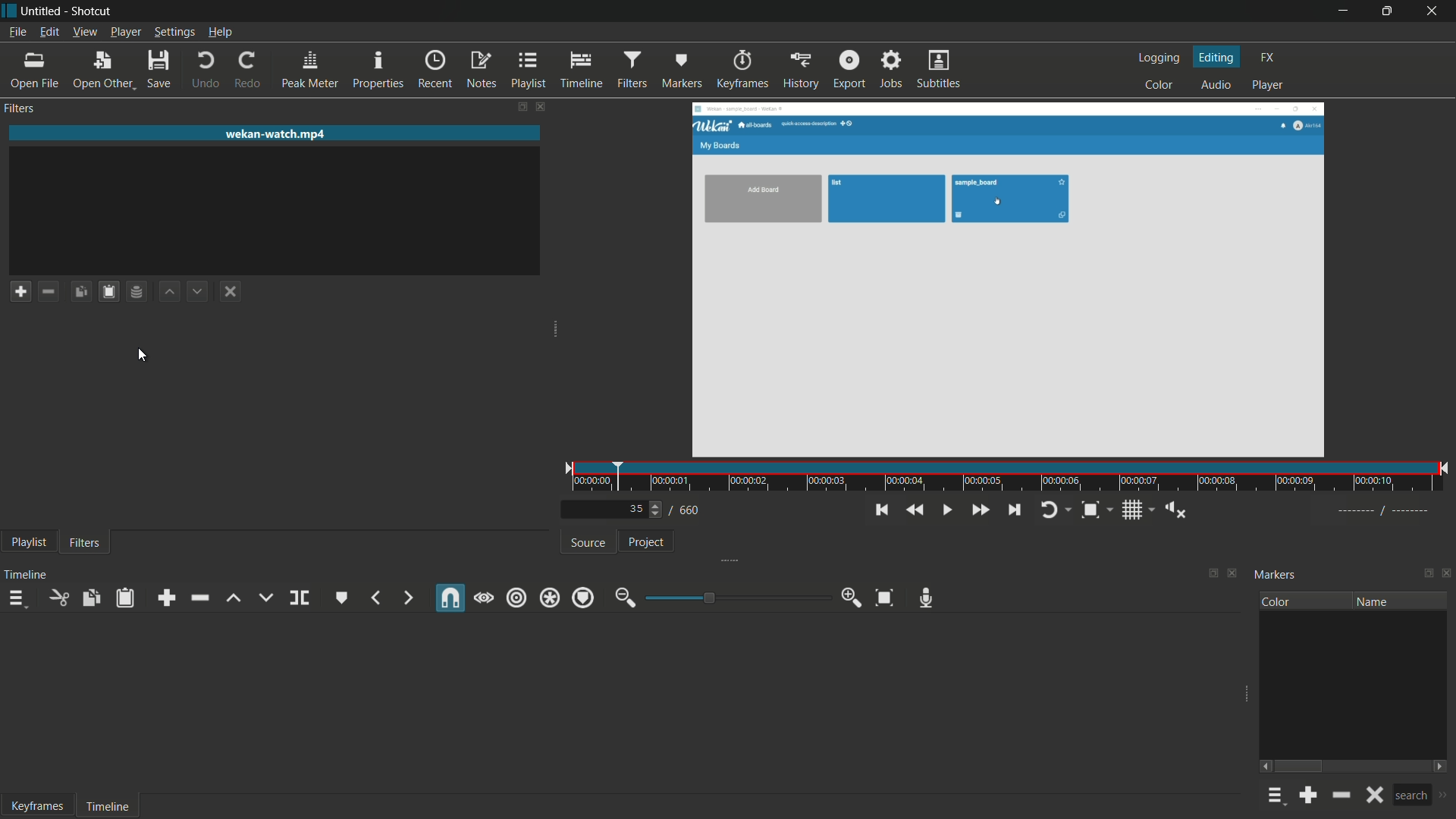 The image size is (1456, 819). Describe the element at coordinates (38, 805) in the screenshot. I see `keyframes` at that location.